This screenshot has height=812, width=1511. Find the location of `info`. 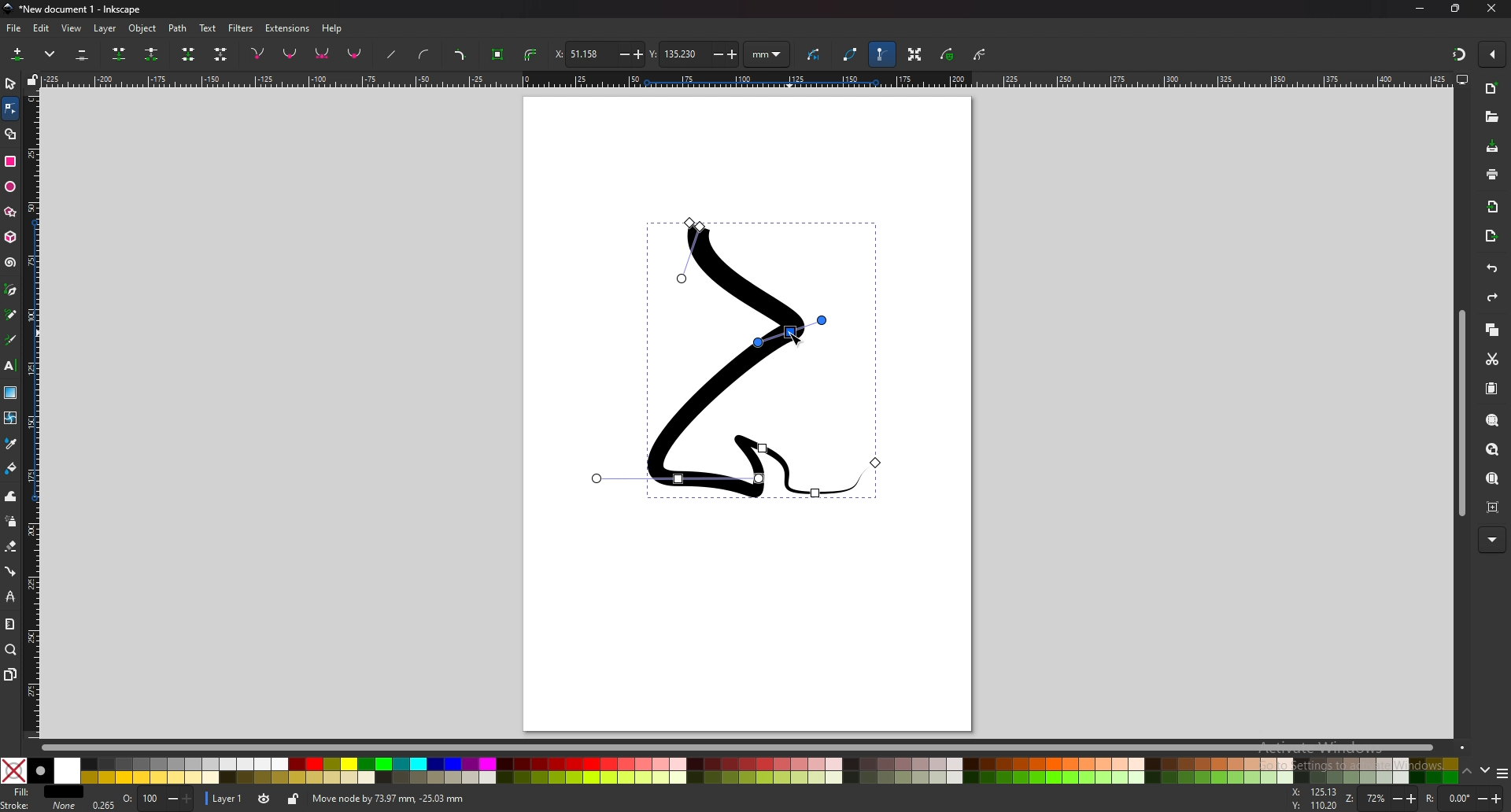

info is located at coordinates (534, 799).